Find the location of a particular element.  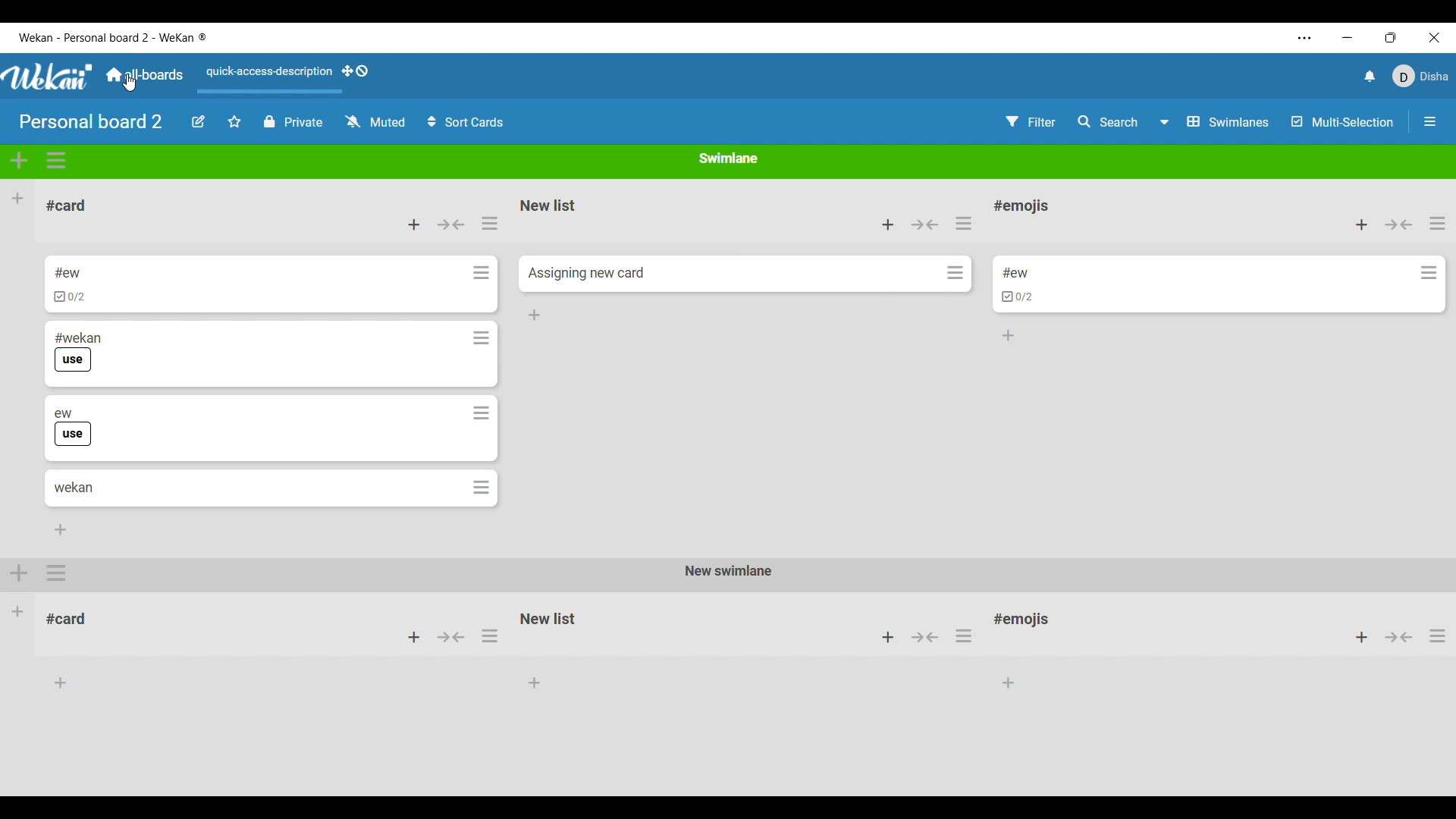

Card actions is located at coordinates (482, 272).